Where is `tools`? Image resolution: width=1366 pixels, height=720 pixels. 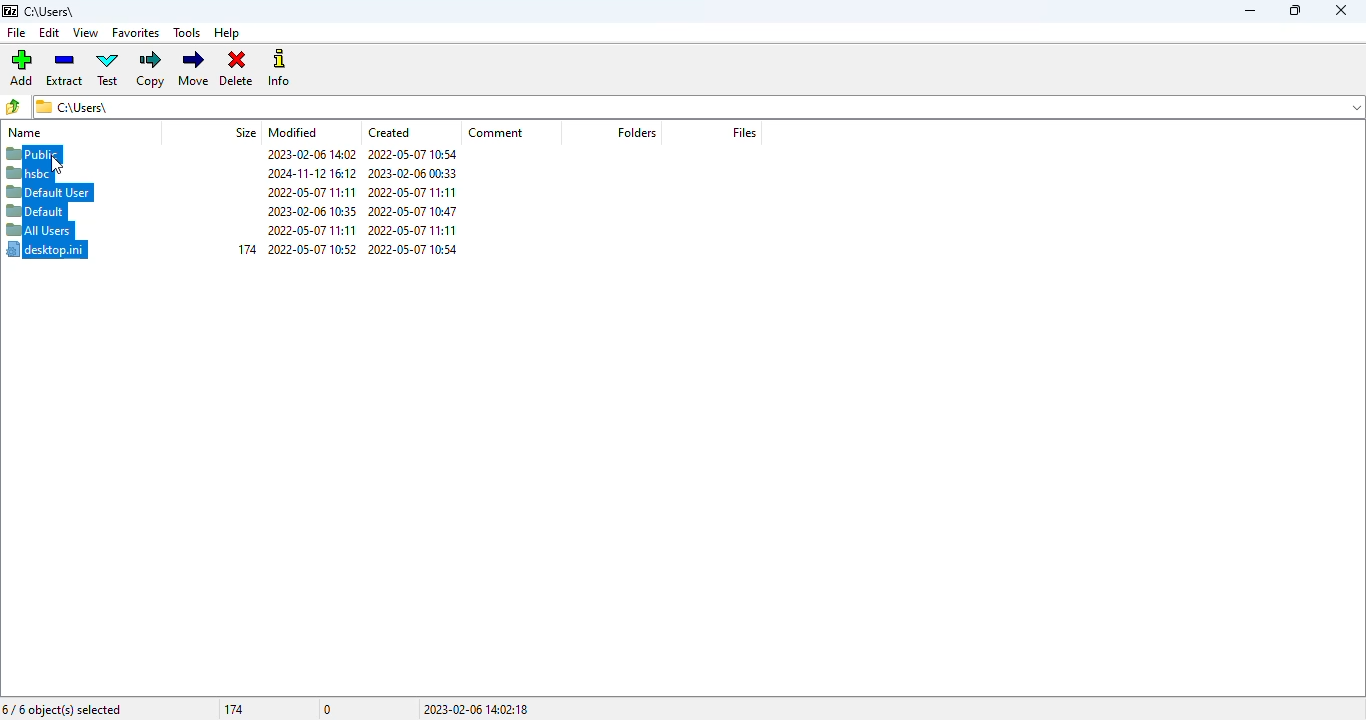 tools is located at coordinates (188, 32).